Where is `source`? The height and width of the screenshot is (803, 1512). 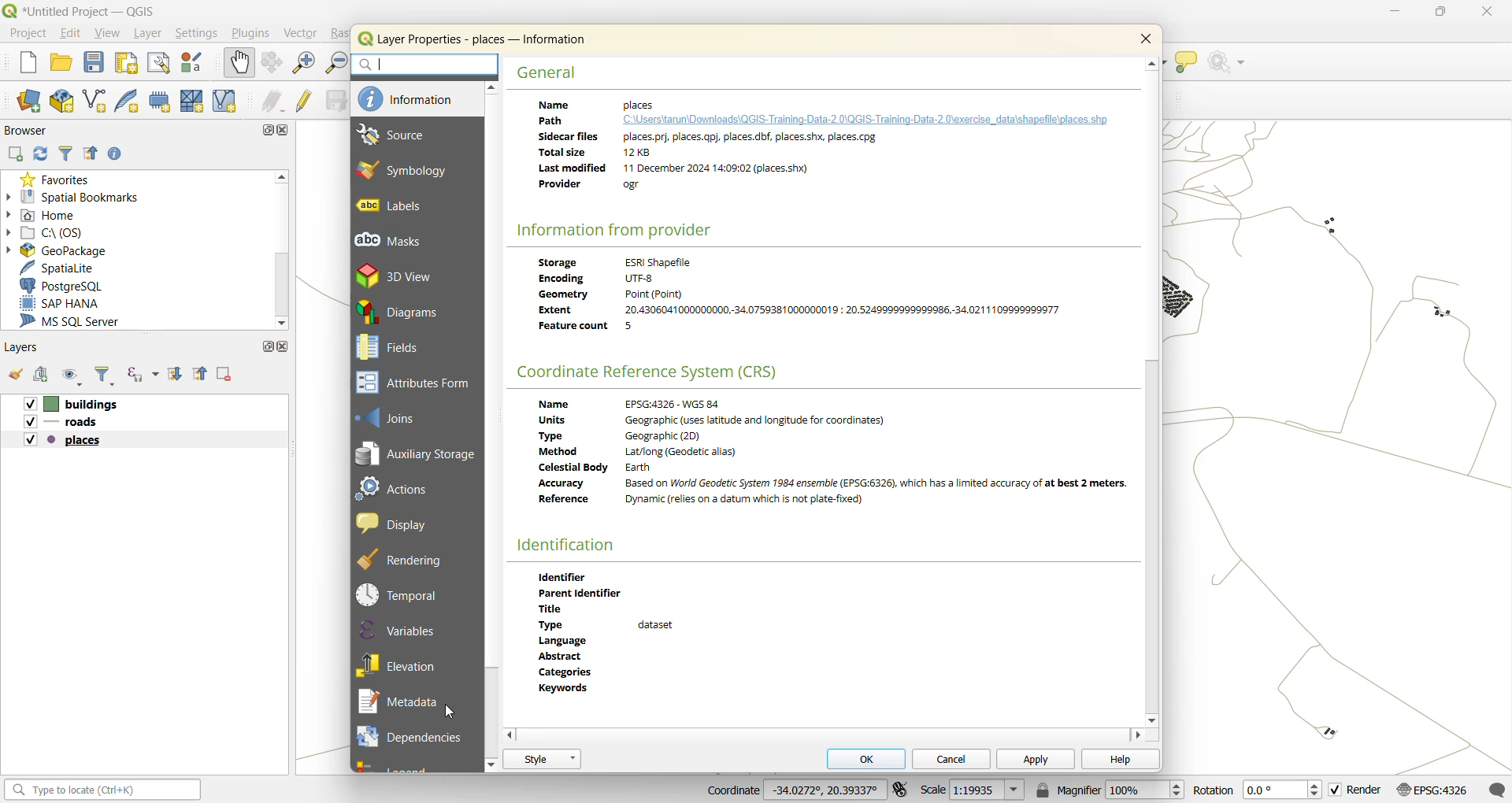 source is located at coordinates (406, 135).